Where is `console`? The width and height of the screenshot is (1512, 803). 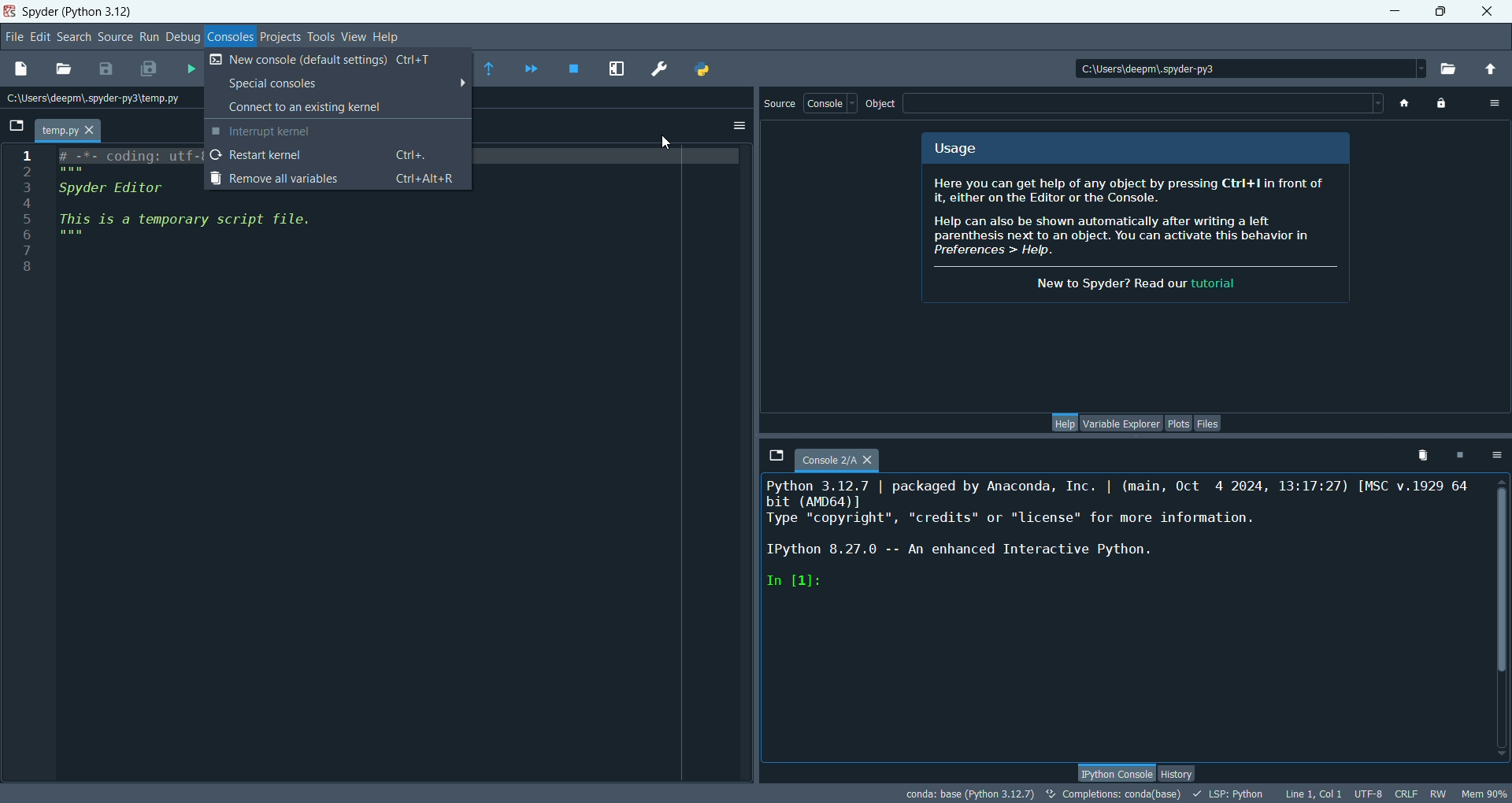 console is located at coordinates (839, 461).